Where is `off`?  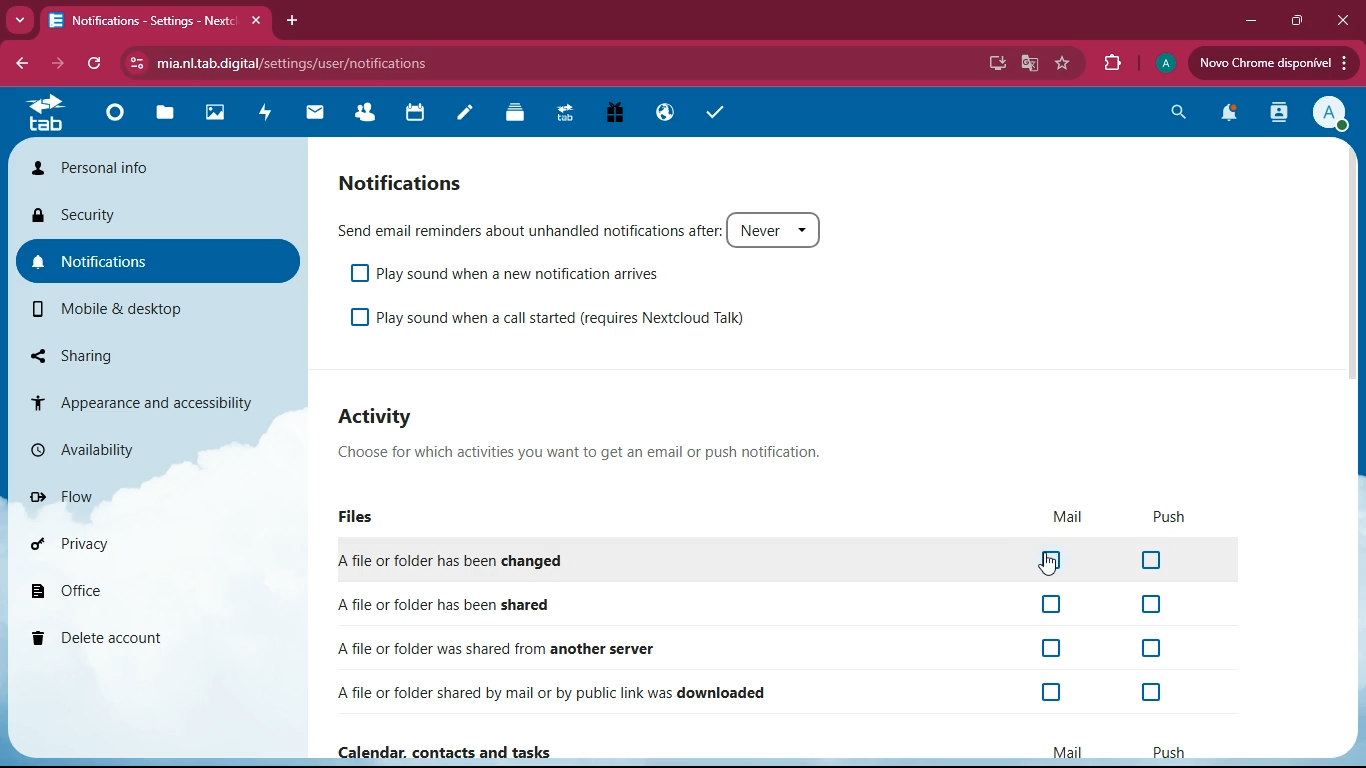 off is located at coordinates (1055, 693).